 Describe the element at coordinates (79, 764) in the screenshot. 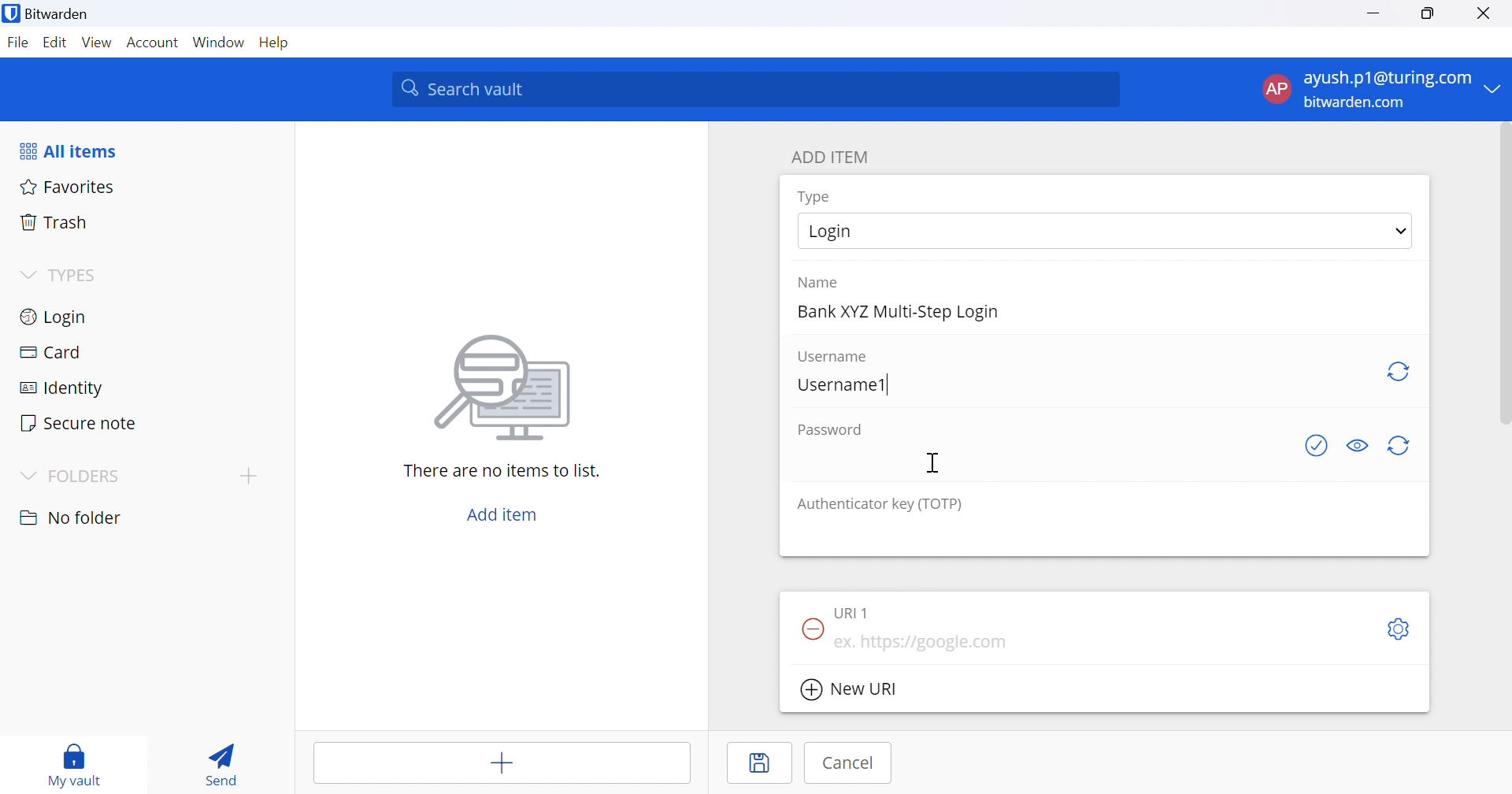

I see `my vault` at that location.